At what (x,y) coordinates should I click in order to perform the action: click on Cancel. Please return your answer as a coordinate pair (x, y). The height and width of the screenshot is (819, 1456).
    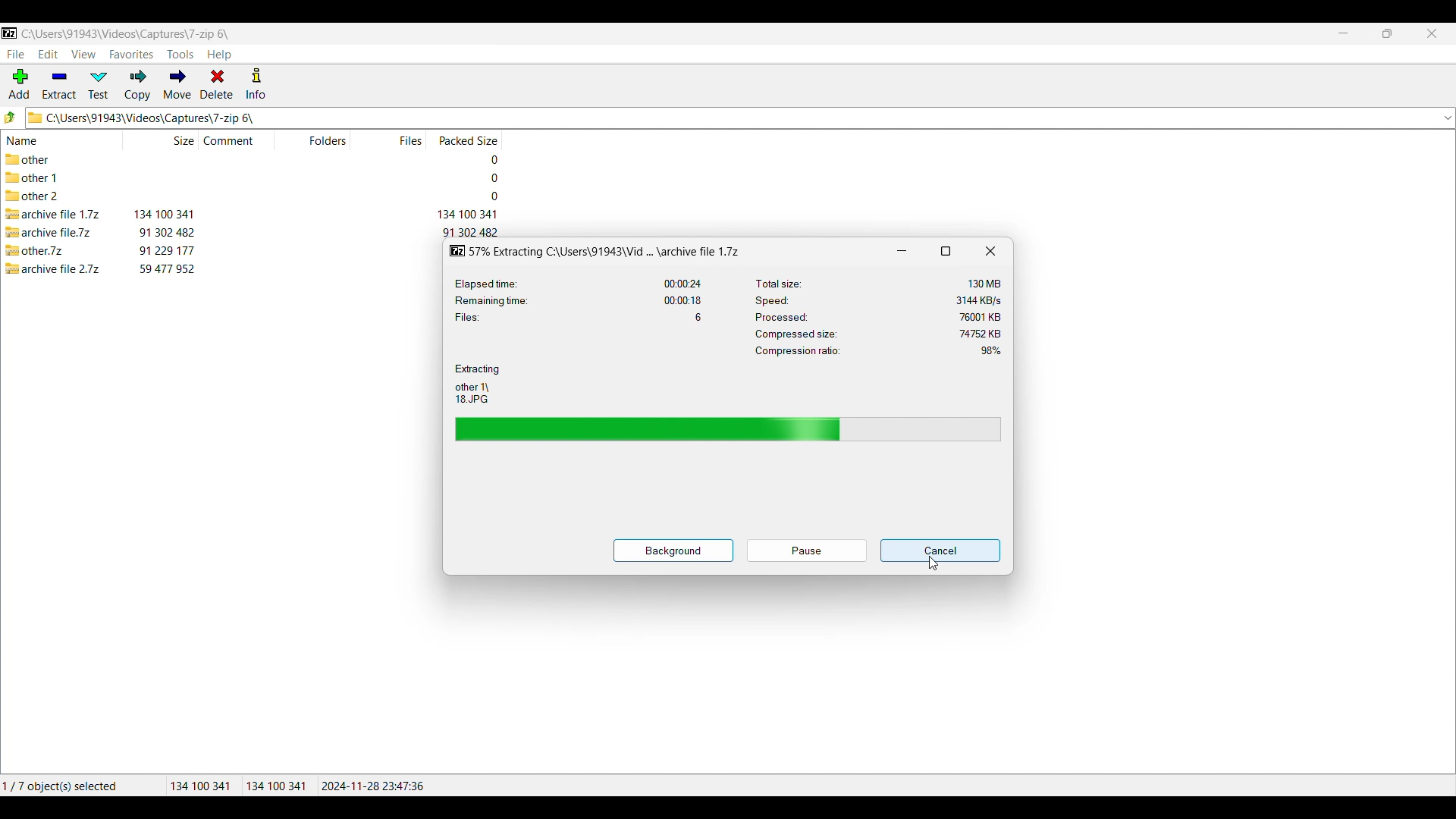
    Looking at the image, I should click on (940, 551).